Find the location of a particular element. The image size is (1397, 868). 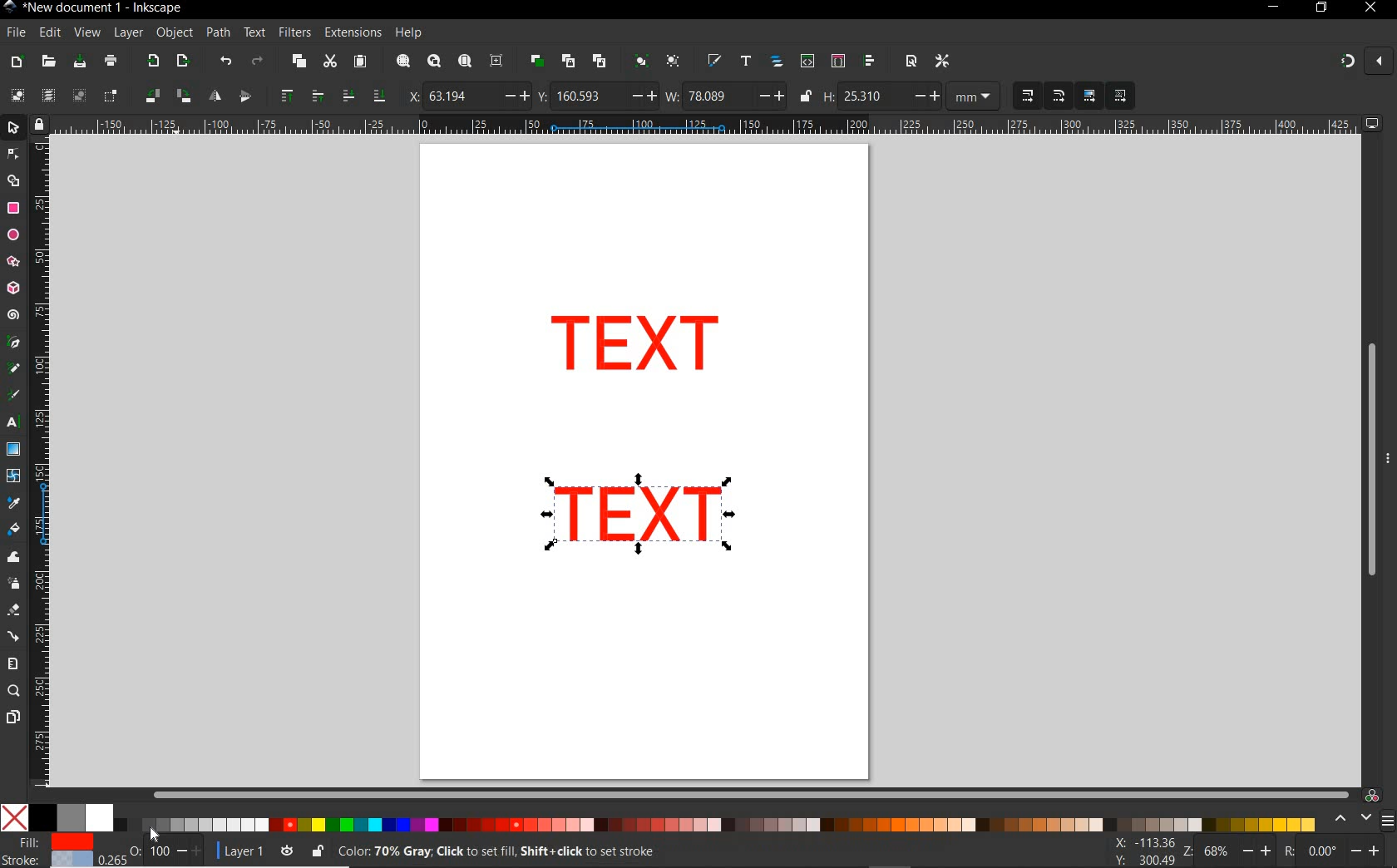

zoom selection is located at coordinates (402, 62).